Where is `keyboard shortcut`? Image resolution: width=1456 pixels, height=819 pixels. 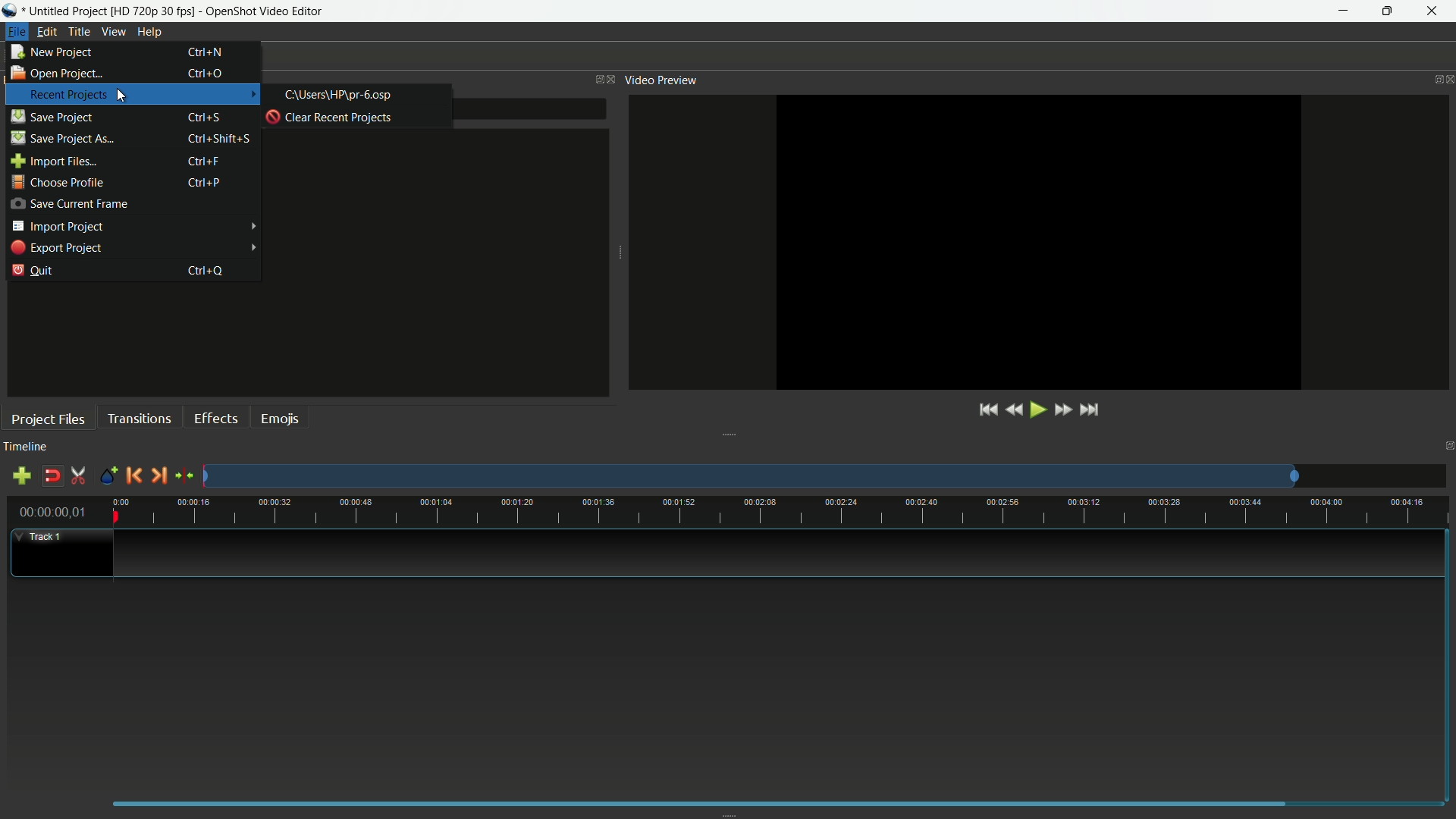 keyboard shortcut is located at coordinates (204, 73).